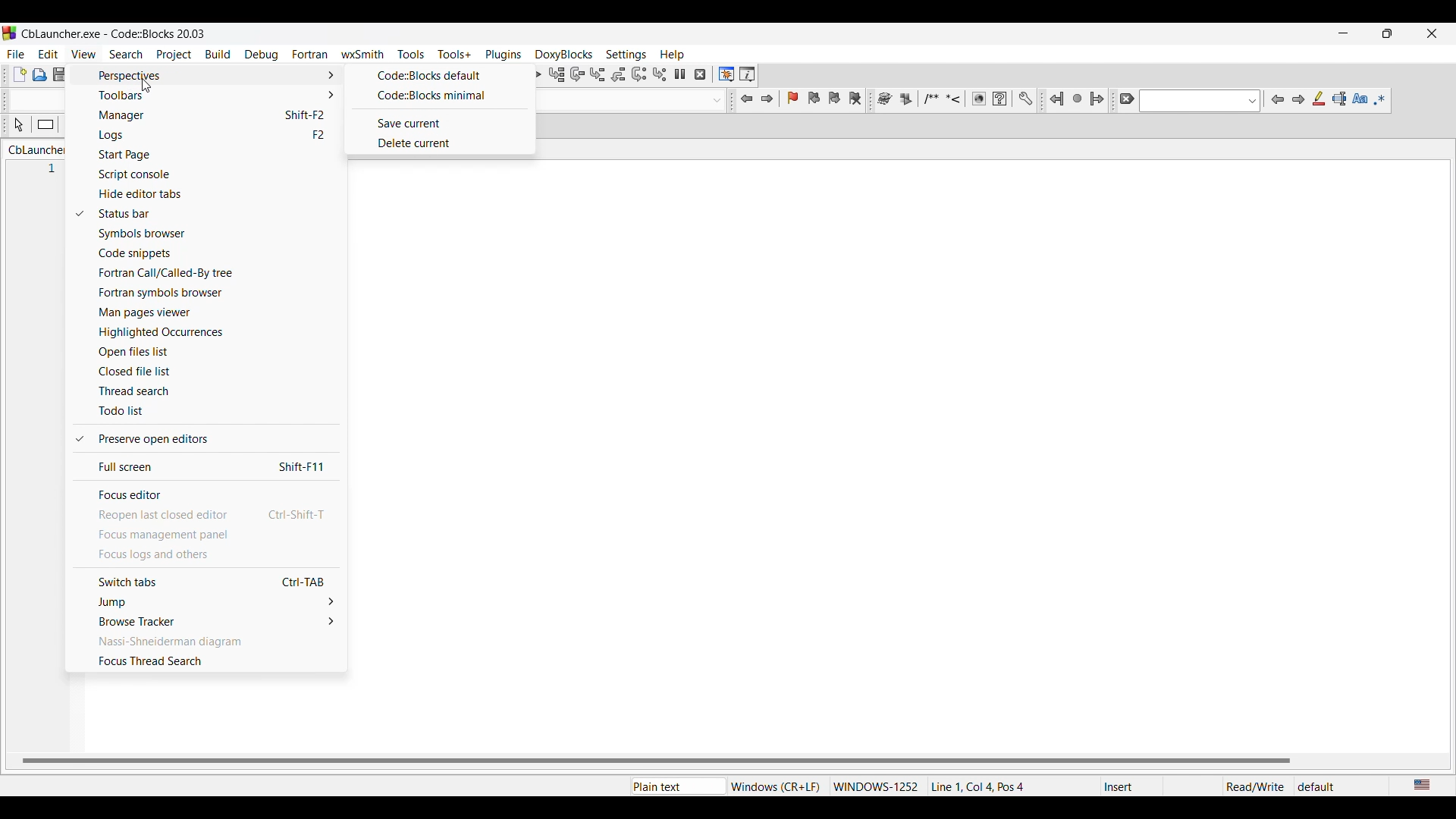  What do you see at coordinates (444, 124) in the screenshot?
I see `Save current` at bounding box center [444, 124].